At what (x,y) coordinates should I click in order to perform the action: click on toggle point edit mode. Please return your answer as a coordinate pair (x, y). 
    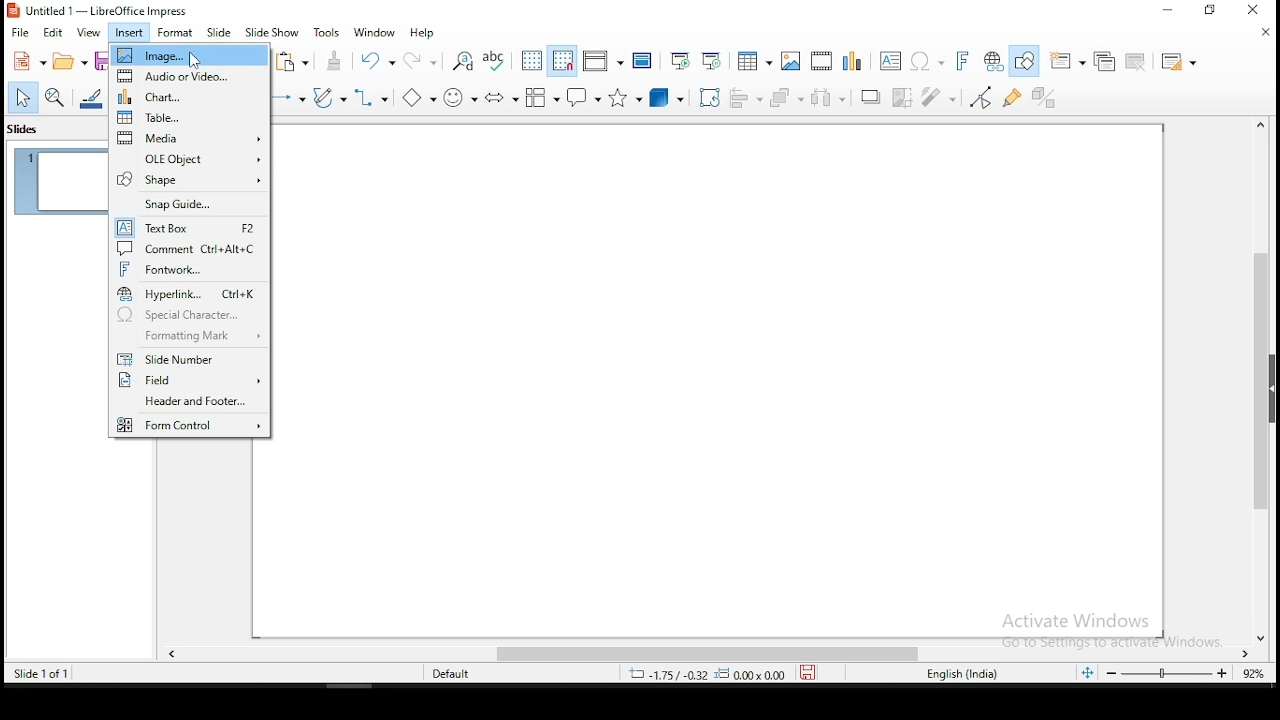
    Looking at the image, I should click on (982, 95).